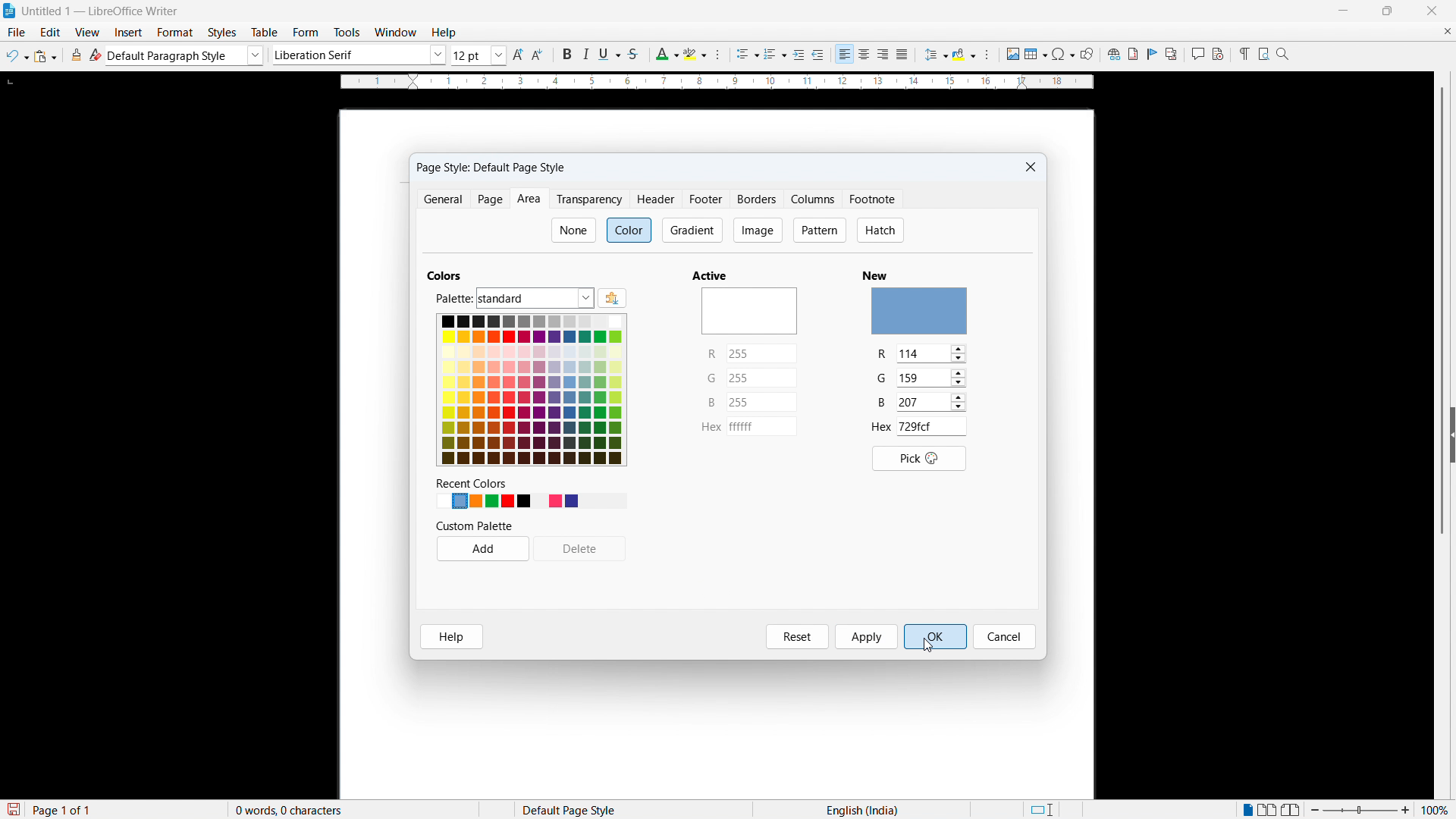 Image resolution: width=1456 pixels, height=819 pixels. I want to click on Borders , so click(758, 199).